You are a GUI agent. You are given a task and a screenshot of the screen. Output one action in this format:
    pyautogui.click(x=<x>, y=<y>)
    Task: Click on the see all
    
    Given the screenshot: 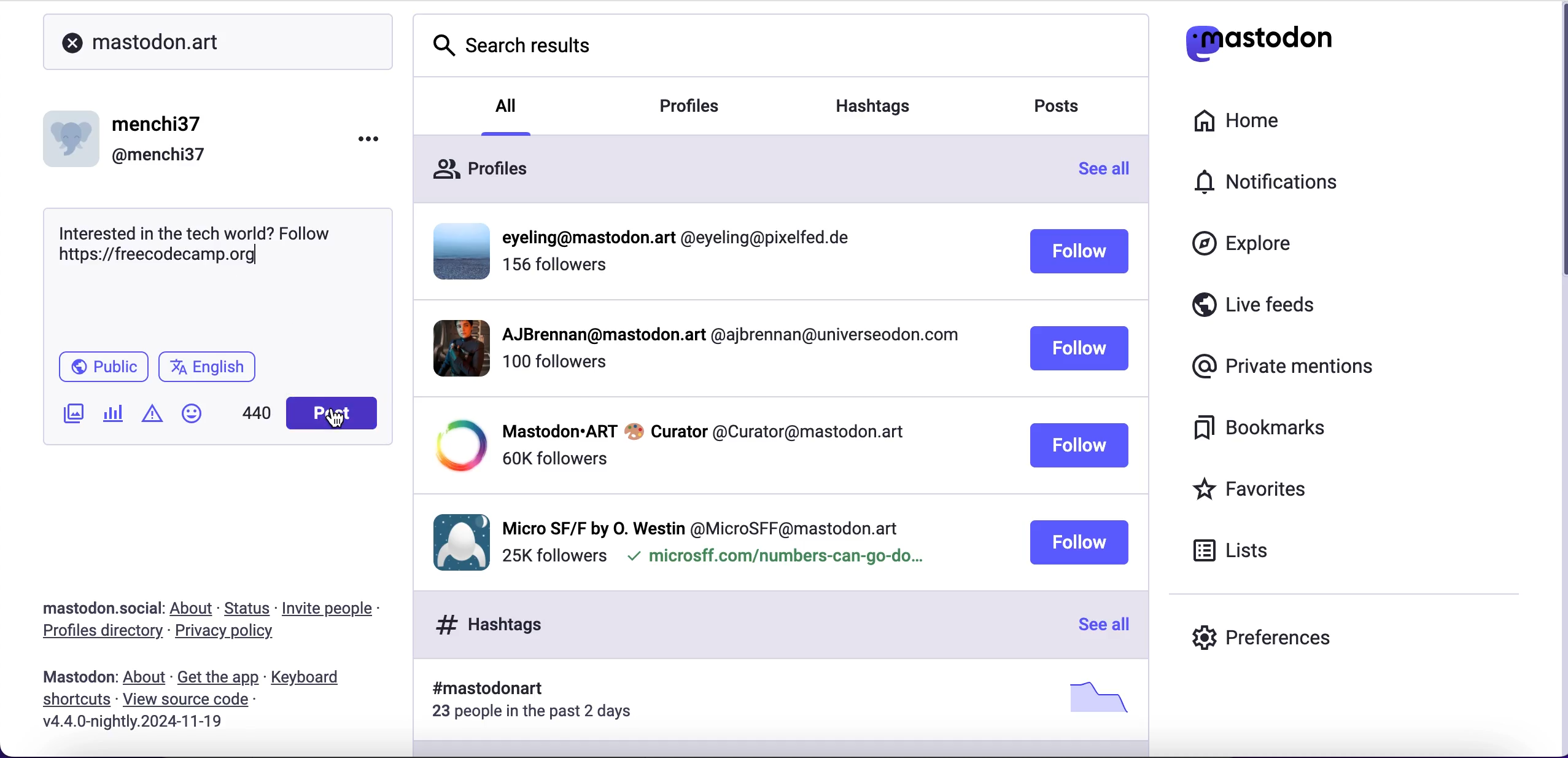 What is the action you would take?
    pyautogui.click(x=1098, y=623)
    